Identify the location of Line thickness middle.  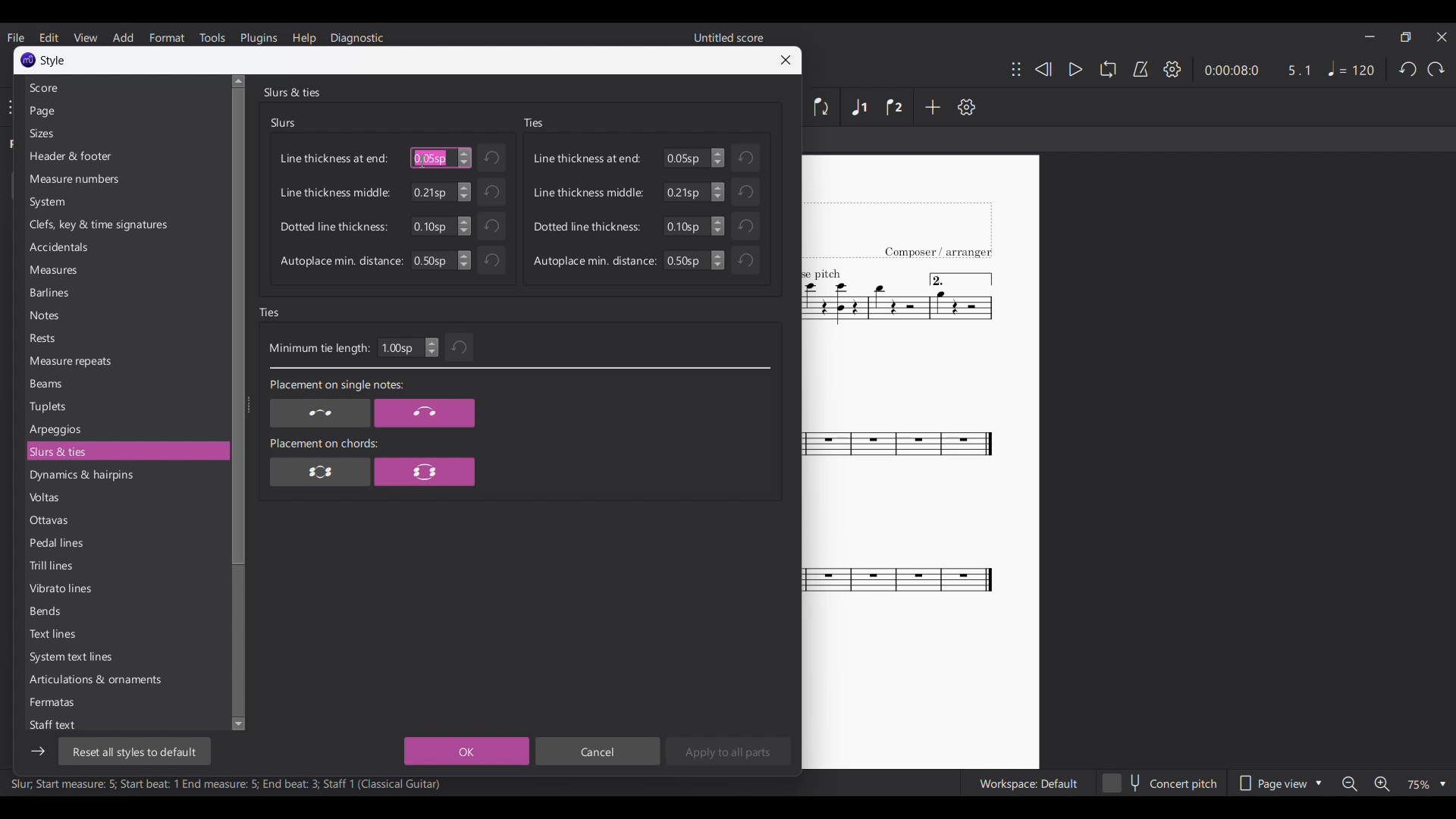
(335, 192).